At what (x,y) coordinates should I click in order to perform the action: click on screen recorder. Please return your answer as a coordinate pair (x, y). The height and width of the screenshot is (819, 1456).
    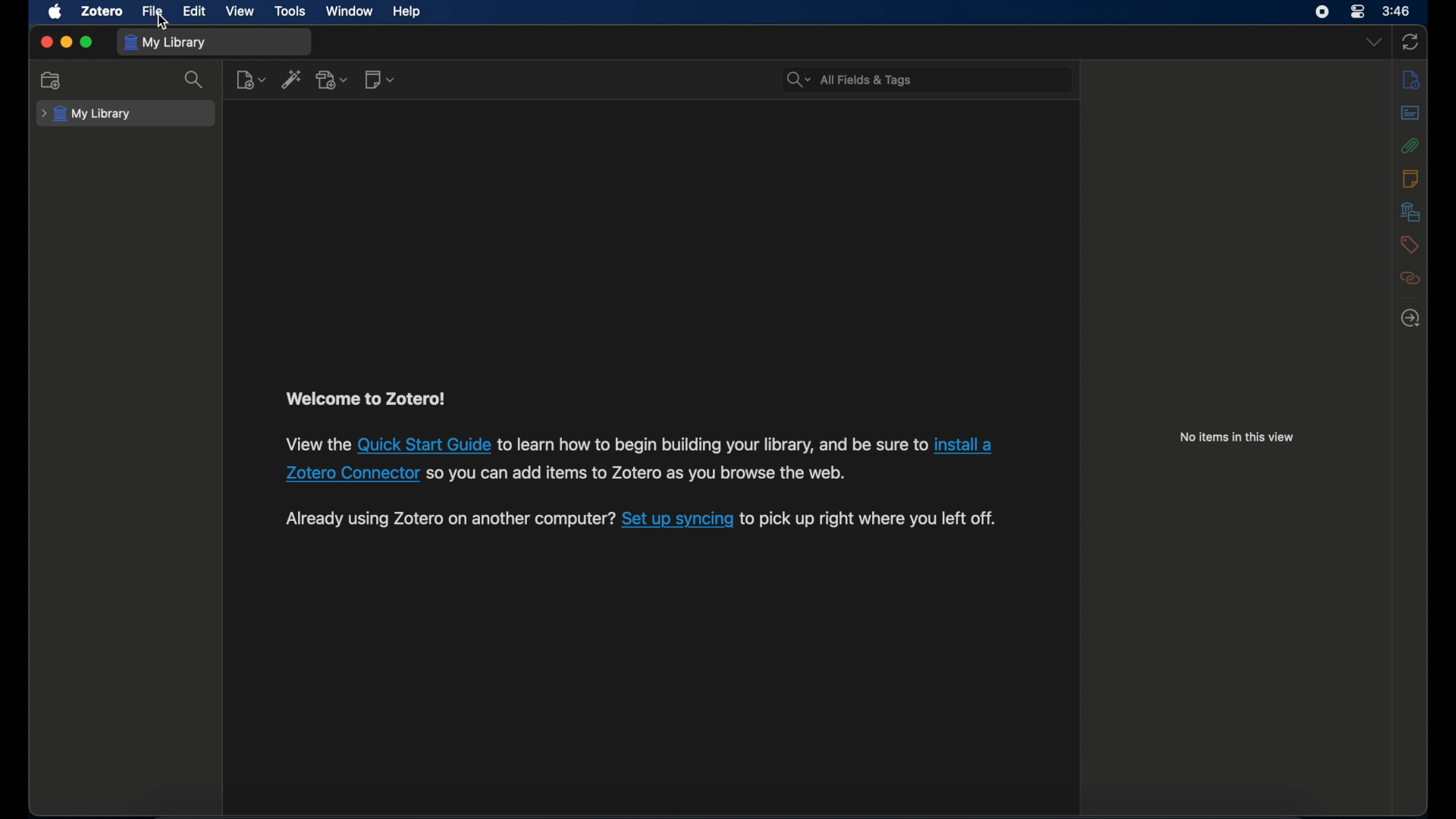
    Looking at the image, I should click on (1323, 11).